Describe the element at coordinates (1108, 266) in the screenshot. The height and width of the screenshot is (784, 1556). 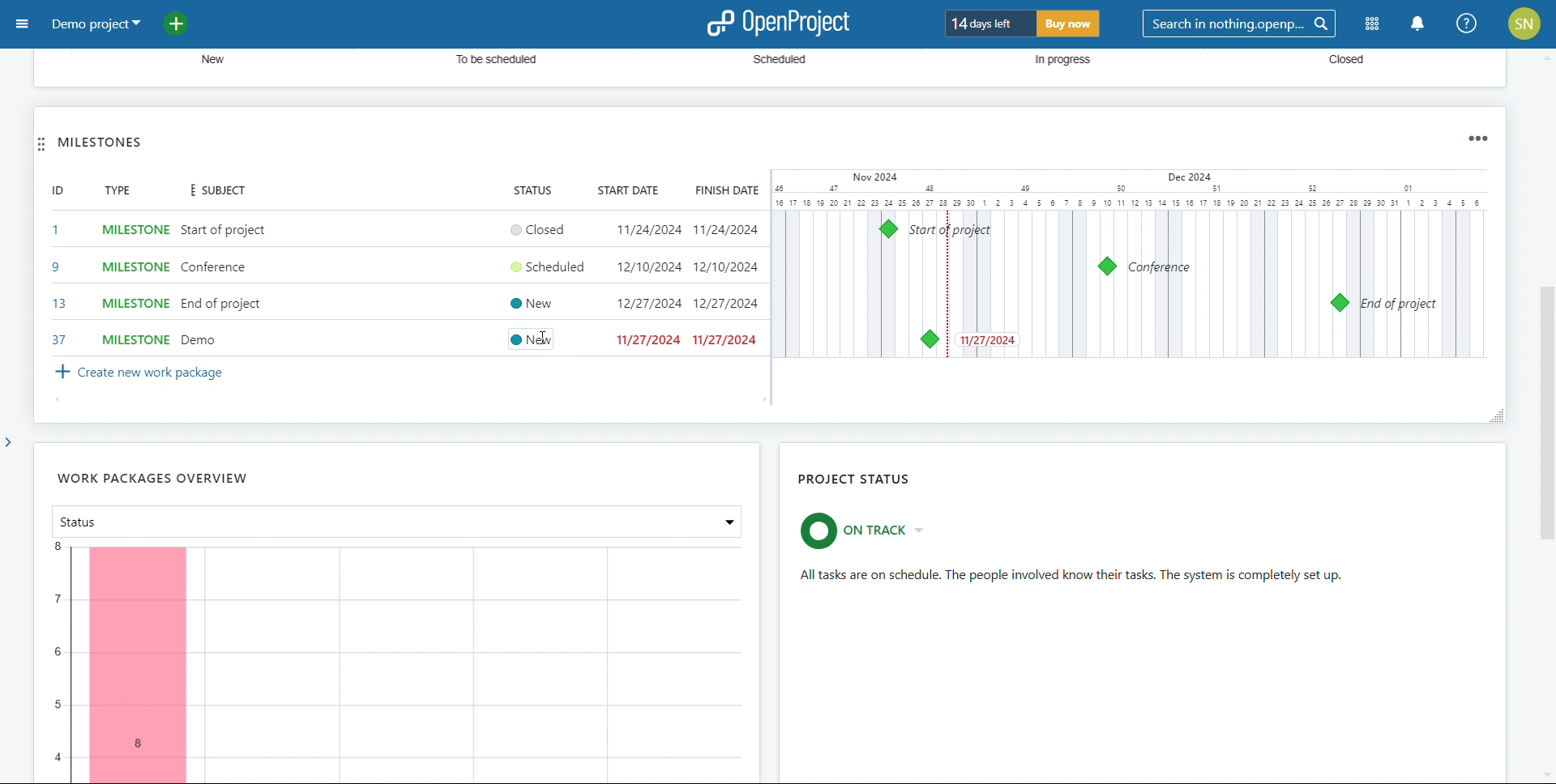
I see `milestone 9` at that location.